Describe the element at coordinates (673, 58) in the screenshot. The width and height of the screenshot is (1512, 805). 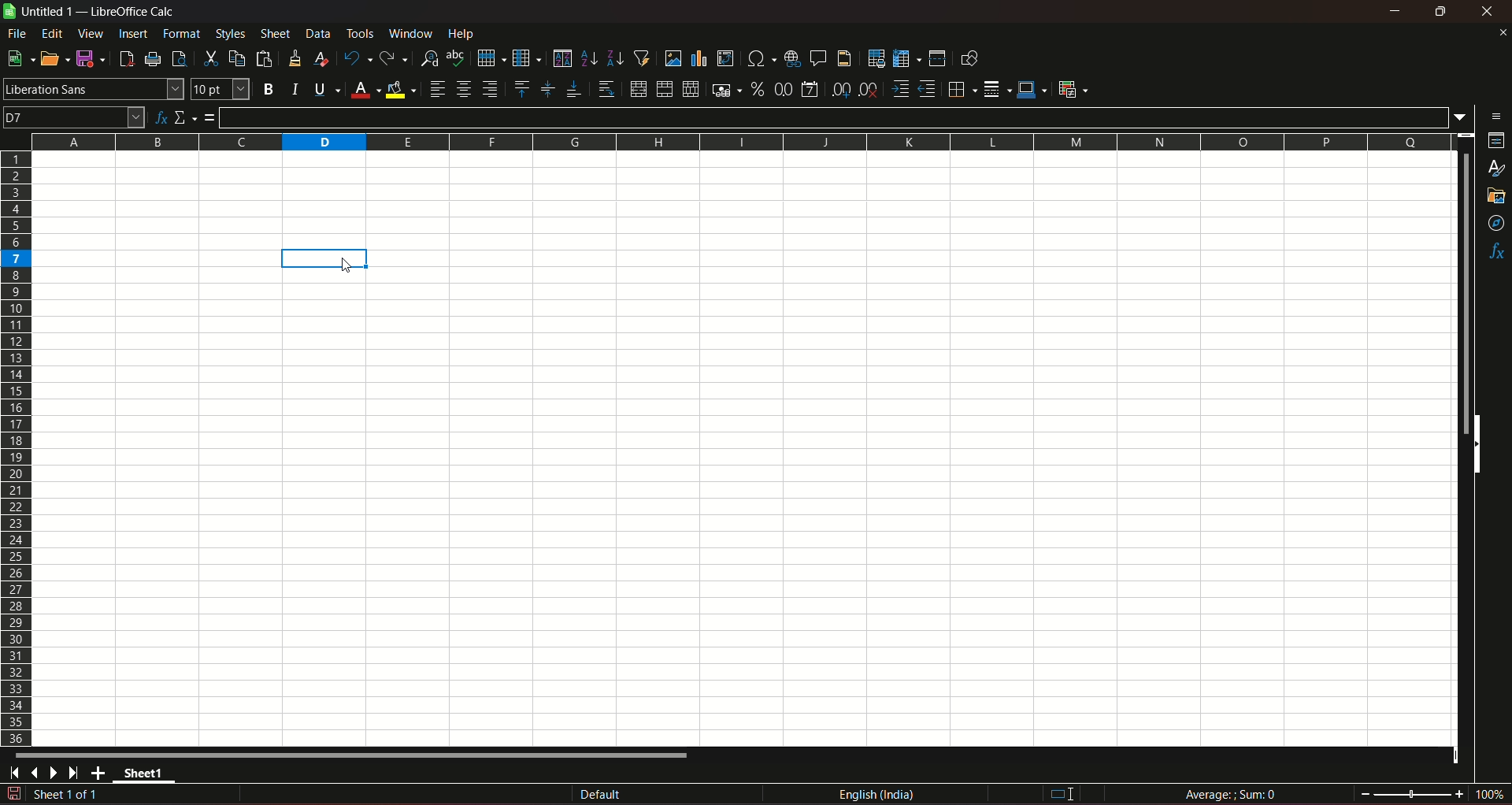
I see `insert image` at that location.